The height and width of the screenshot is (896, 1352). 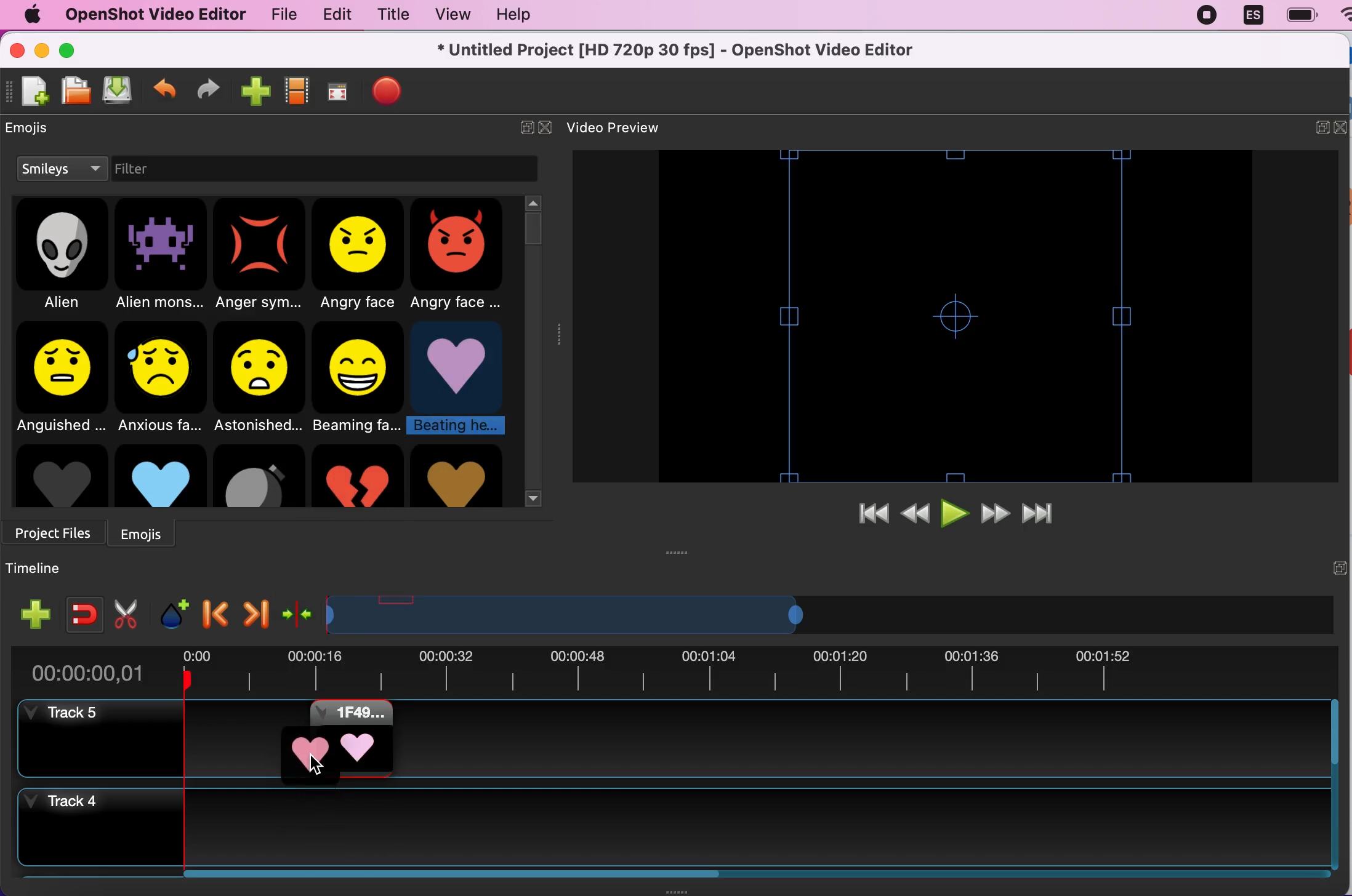 What do you see at coordinates (160, 475) in the screenshot?
I see `Blue heart` at bounding box center [160, 475].